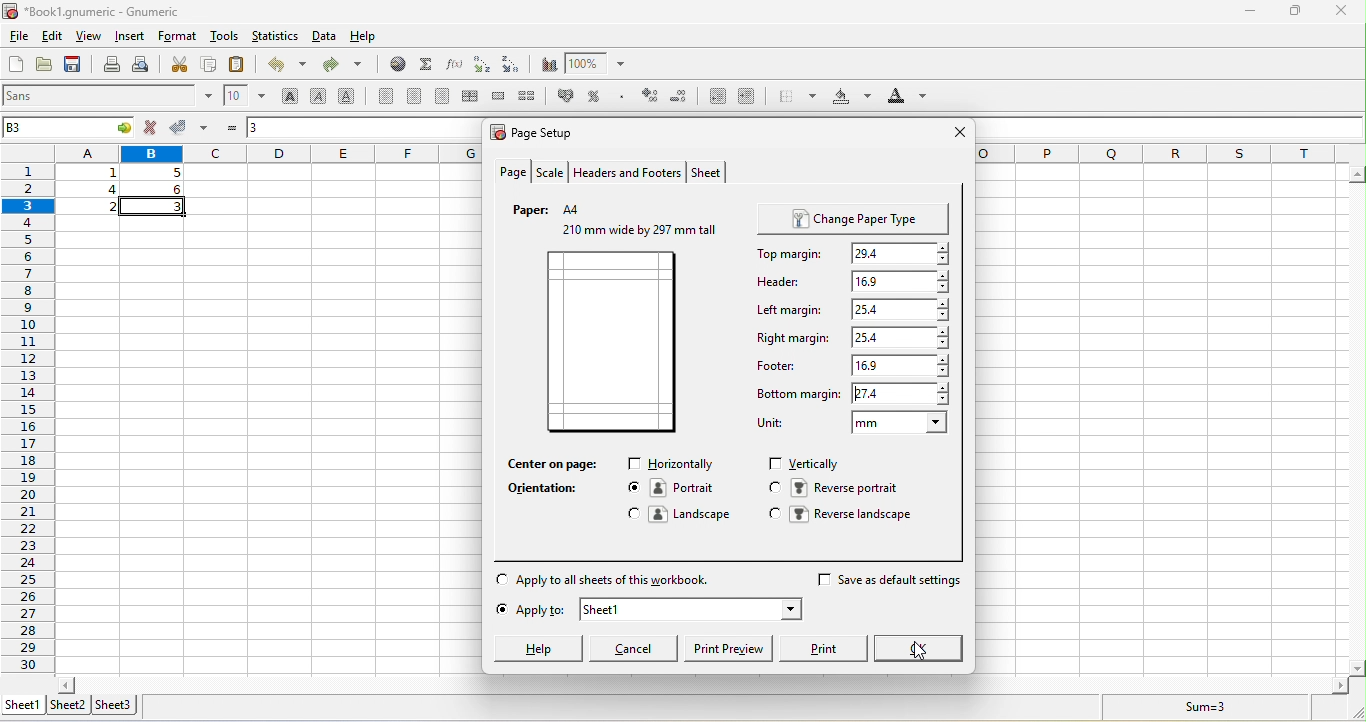 The image size is (1366, 722). I want to click on accept change, so click(191, 128).